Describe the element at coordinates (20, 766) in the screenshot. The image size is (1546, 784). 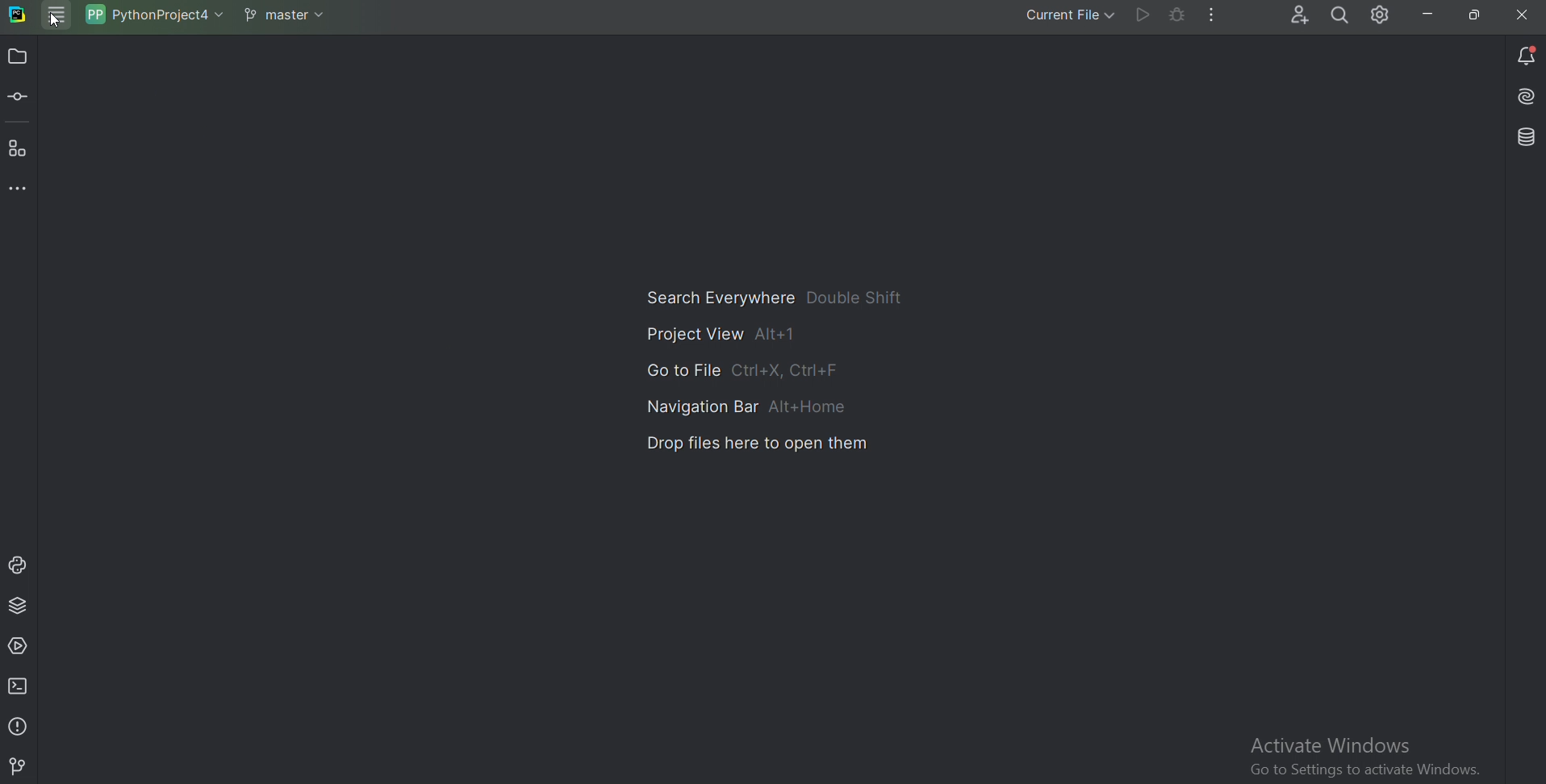
I see `Git` at that location.